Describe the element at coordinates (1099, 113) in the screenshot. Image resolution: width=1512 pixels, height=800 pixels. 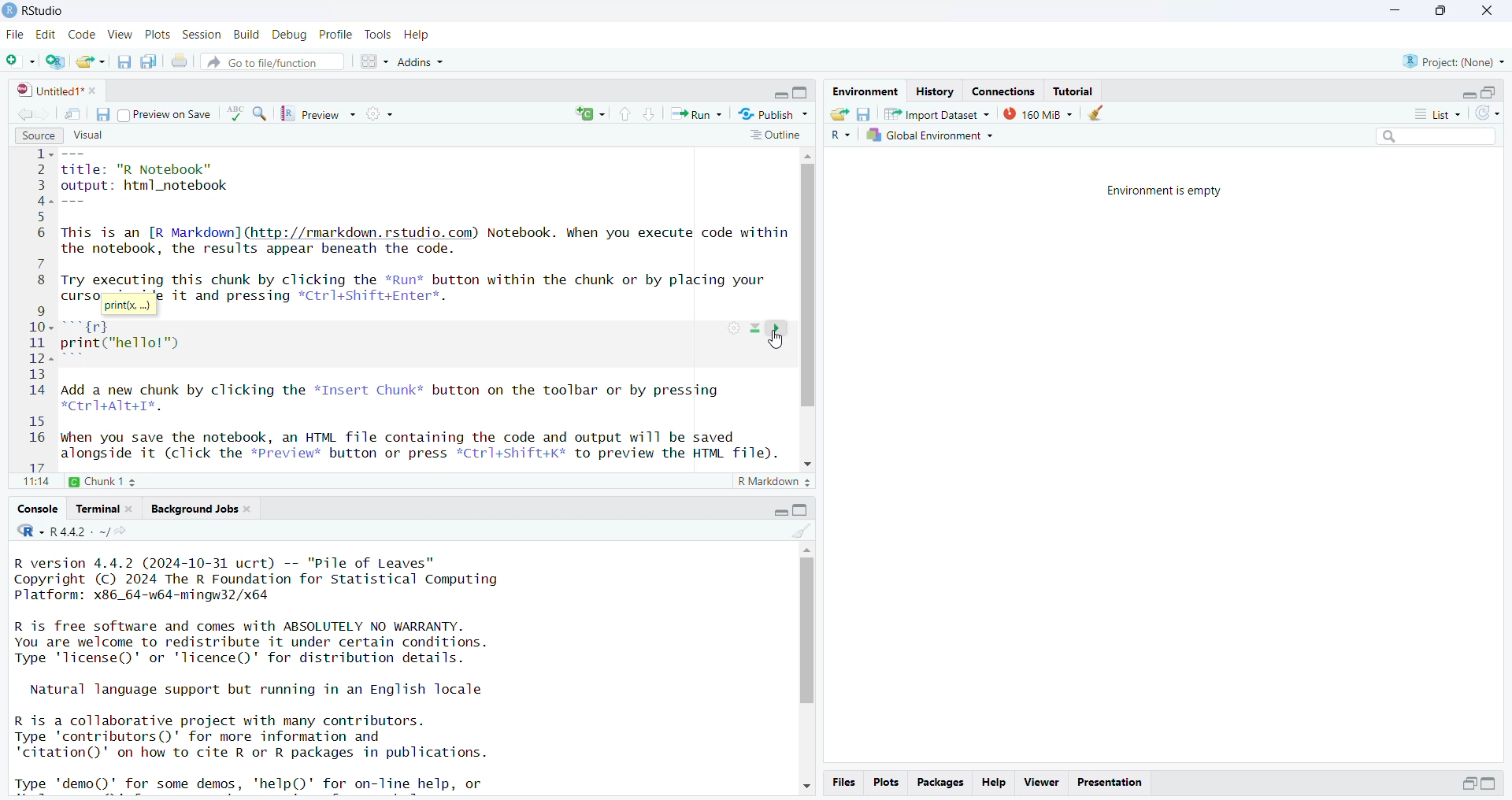
I see `clear object from the workspace` at that location.